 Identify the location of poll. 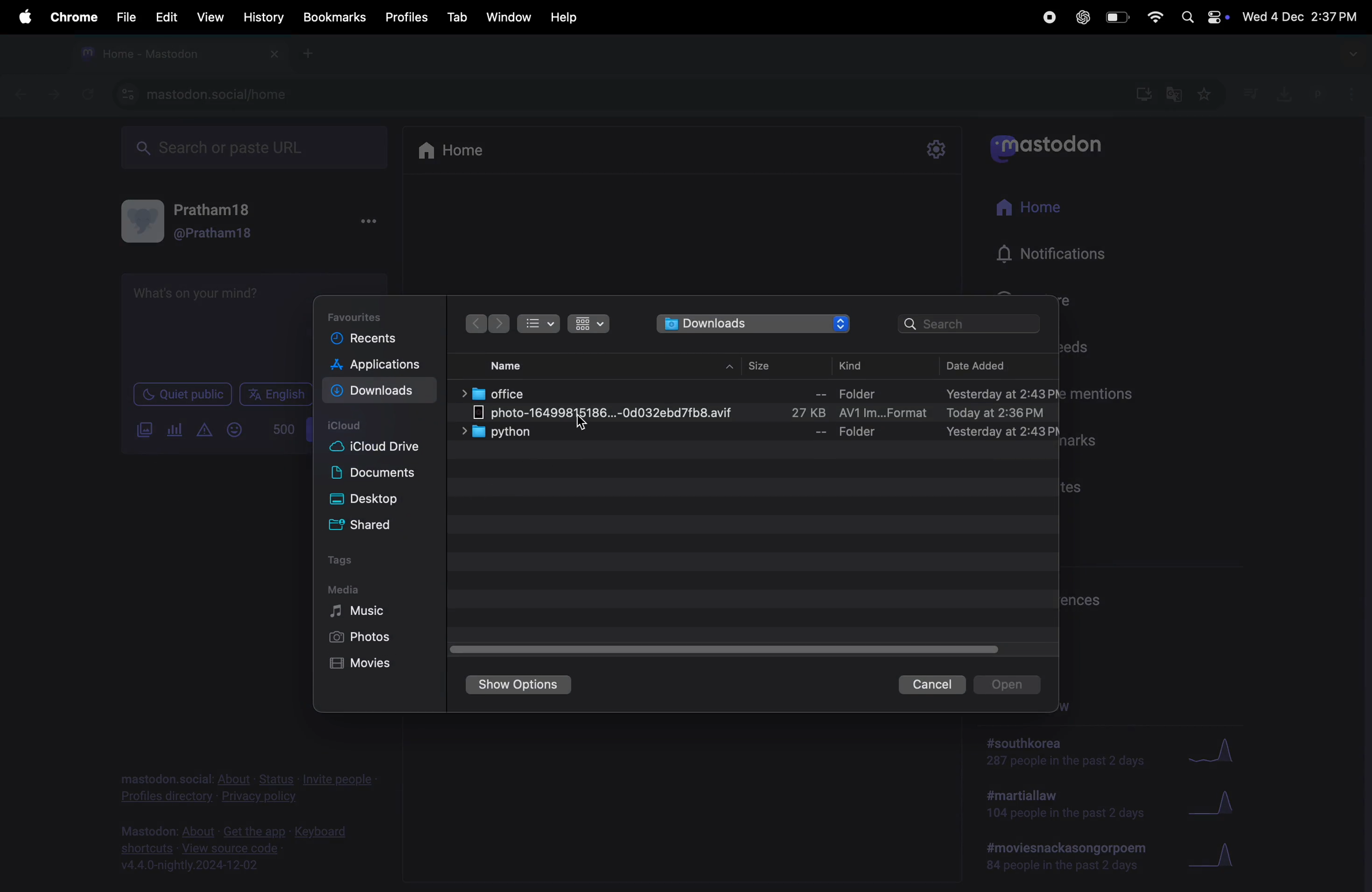
(175, 430).